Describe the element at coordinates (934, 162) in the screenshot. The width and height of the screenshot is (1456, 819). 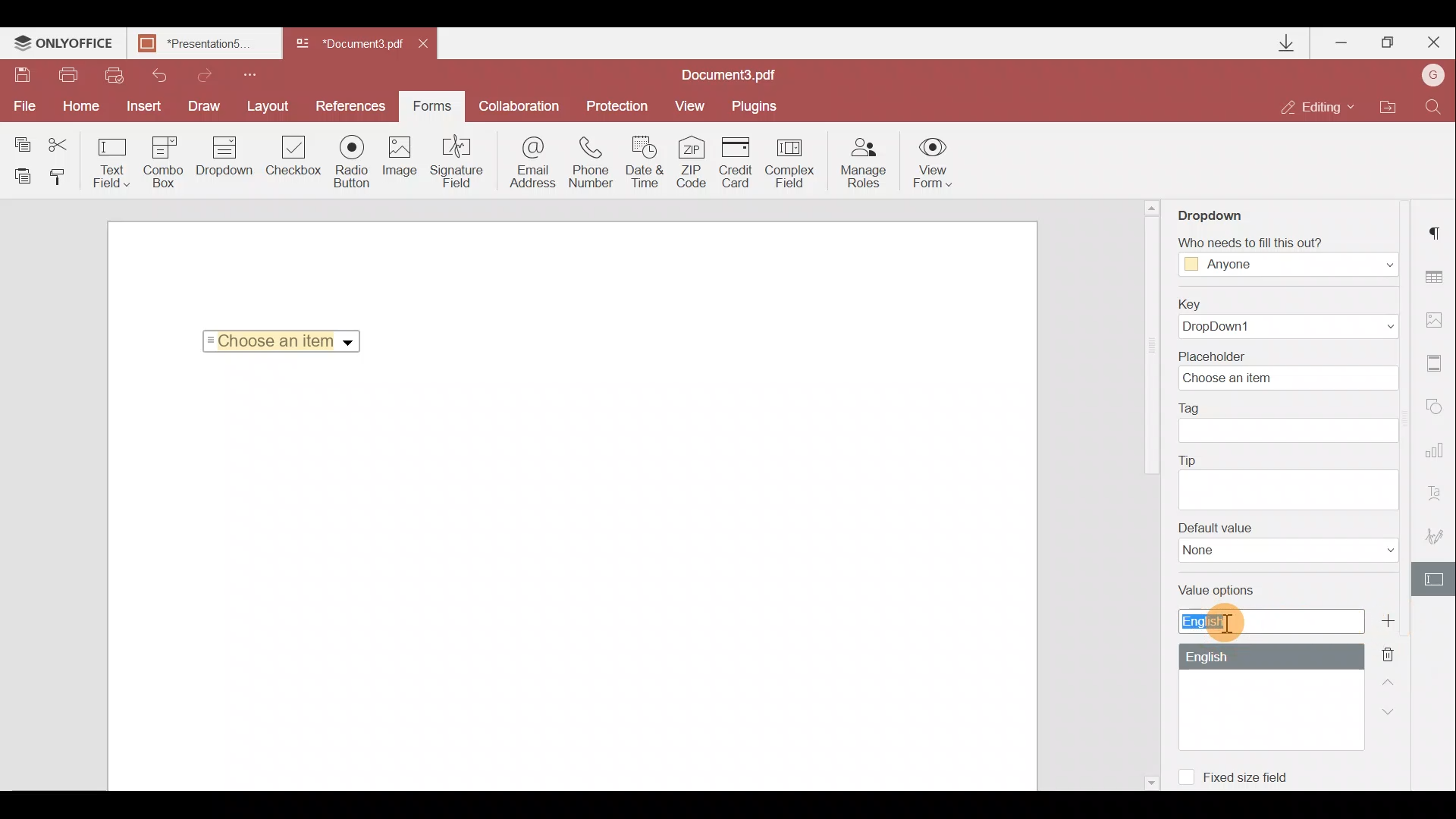
I see `View form` at that location.